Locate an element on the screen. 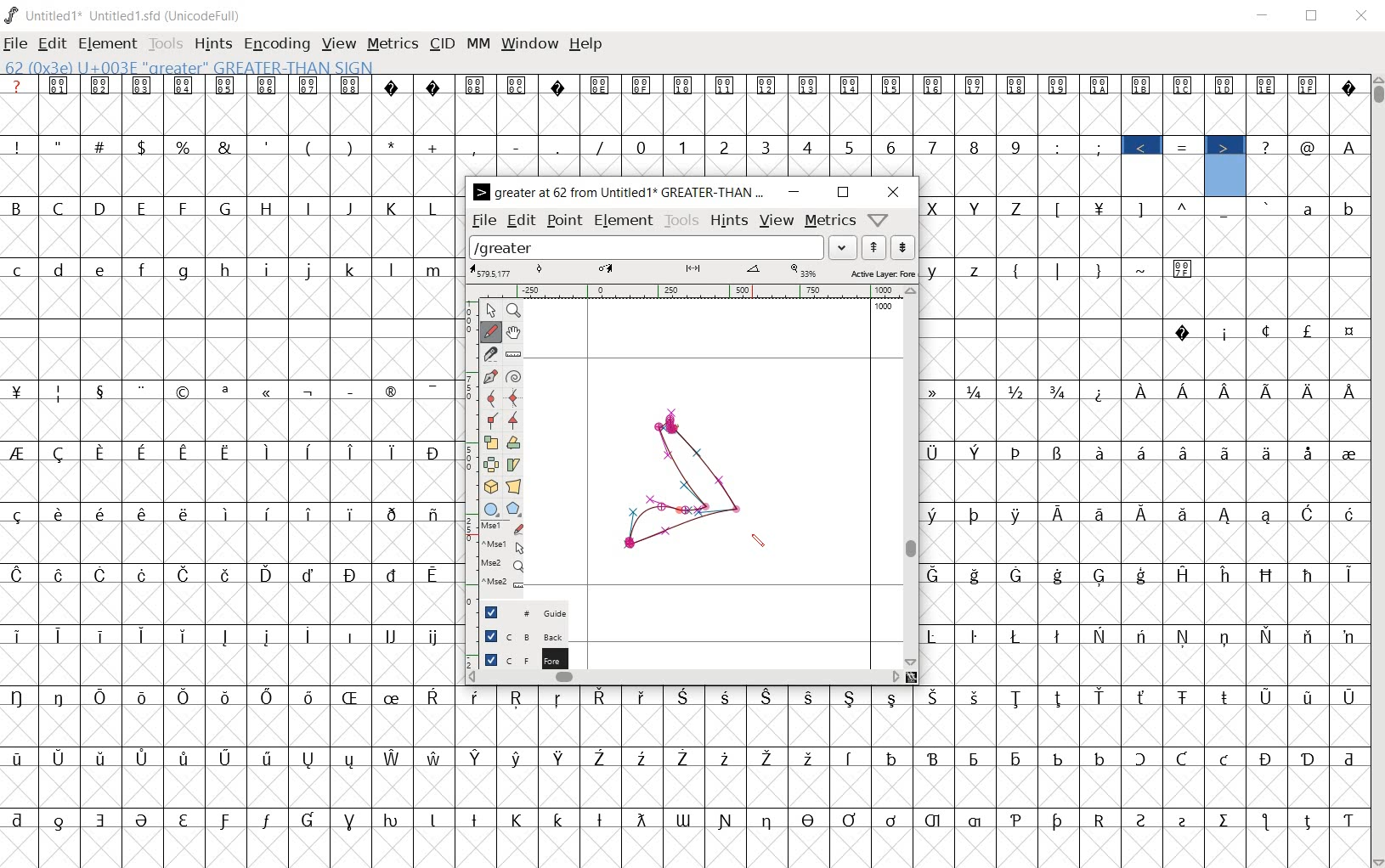 Image resolution: width=1385 pixels, height=868 pixels. active layer: foreground is located at coordinates (692, 272).